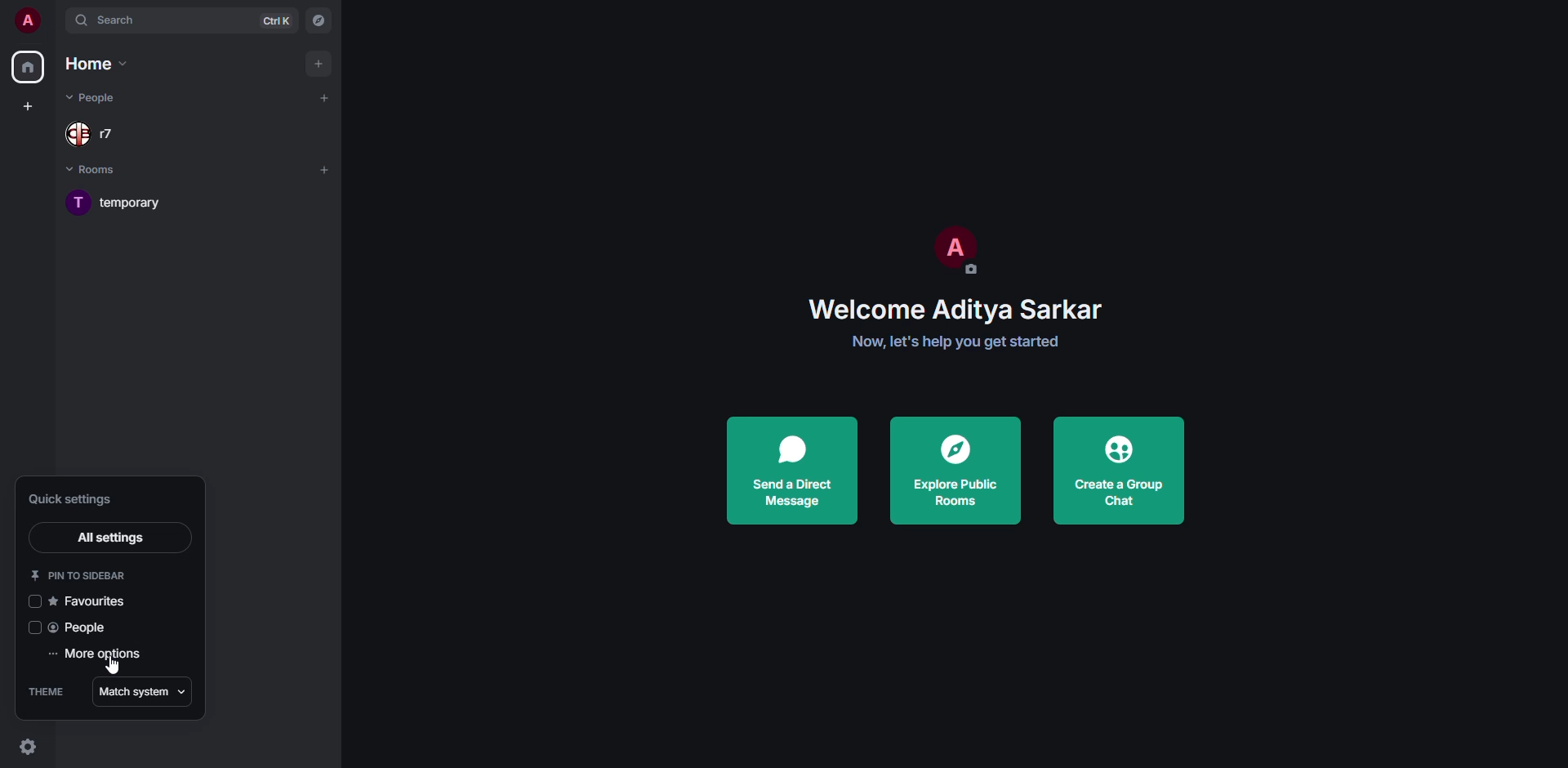 This screenshot has width=1568, height=768. Describe the element at coordinates (279, 21) in the screenshot. I see `ctrl K` at that location.